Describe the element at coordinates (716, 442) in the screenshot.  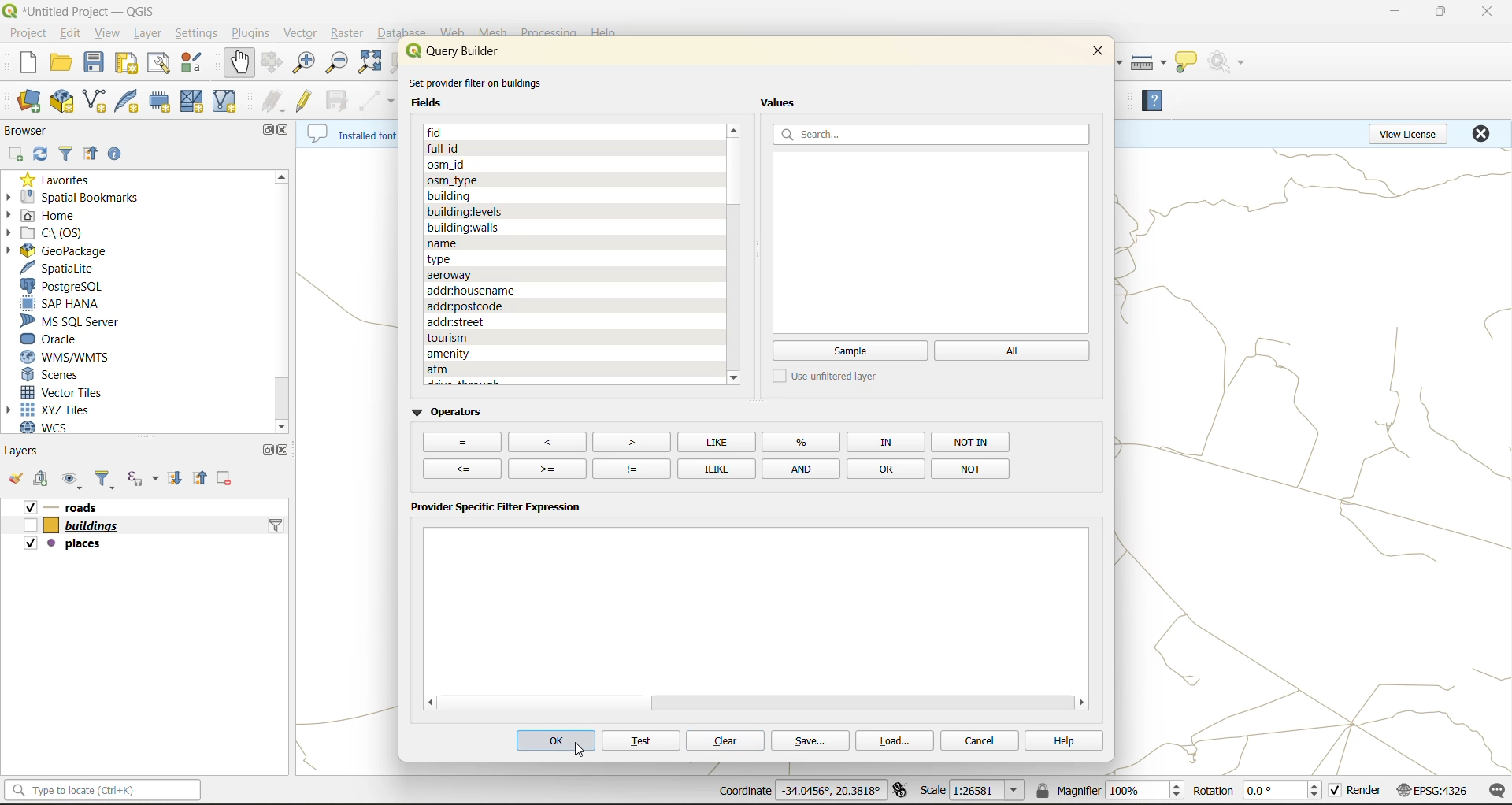
I see `opertators` at that location.